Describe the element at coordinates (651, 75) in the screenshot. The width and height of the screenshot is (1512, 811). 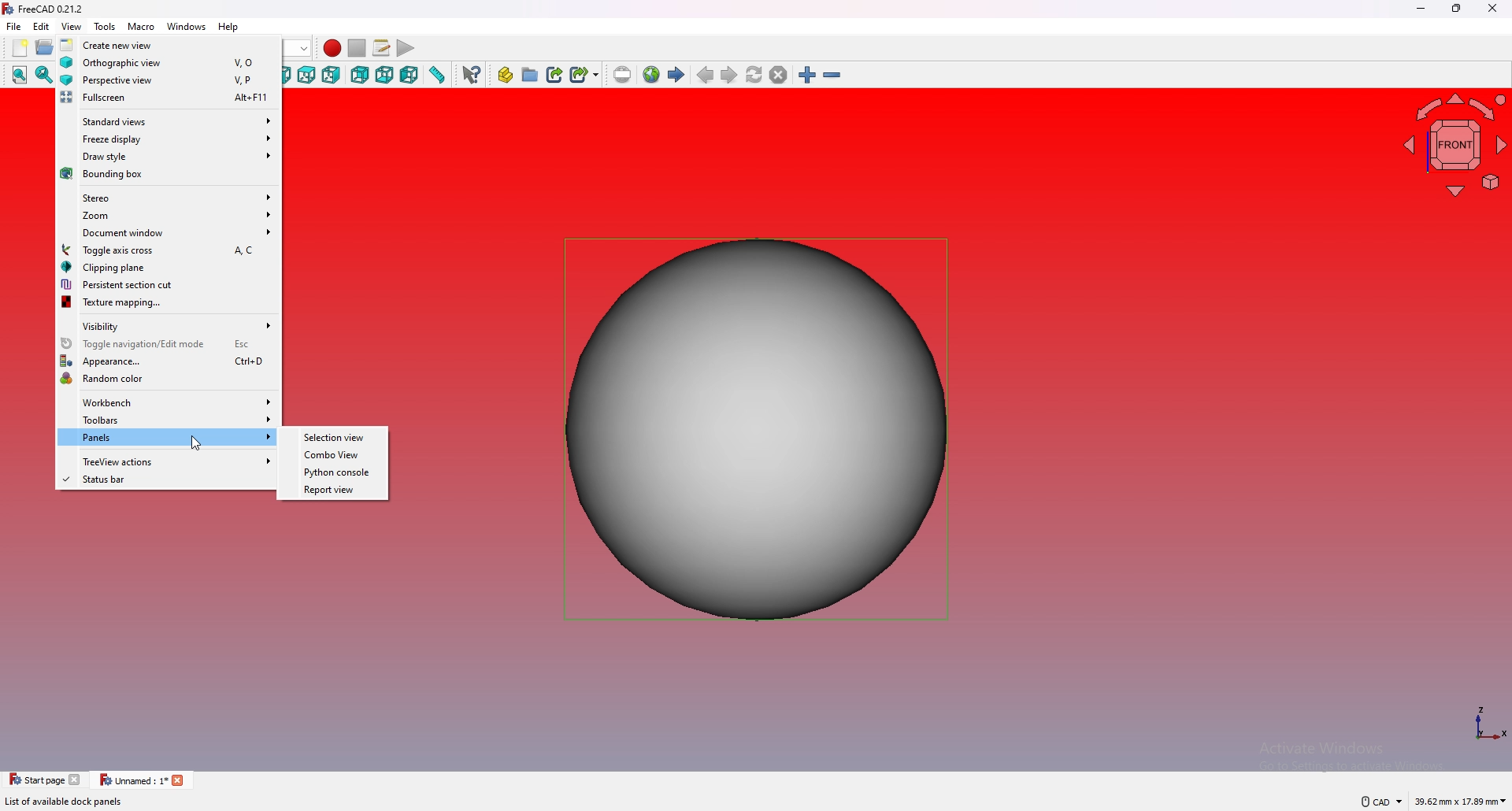
I see `open website` at that location.